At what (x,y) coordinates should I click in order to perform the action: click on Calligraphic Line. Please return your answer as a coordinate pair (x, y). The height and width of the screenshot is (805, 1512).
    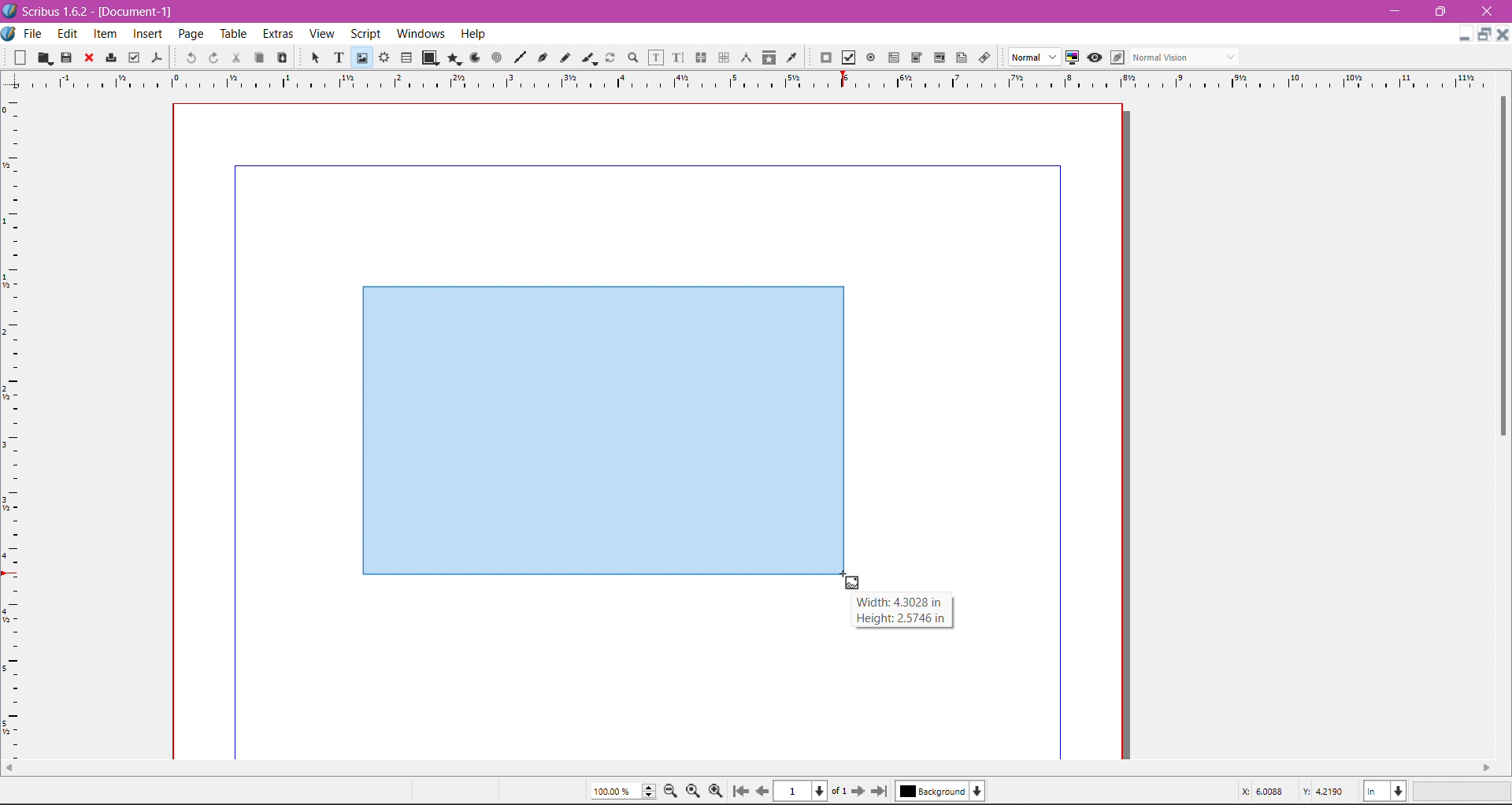
    Looking at the image, I should click on (588, 57).